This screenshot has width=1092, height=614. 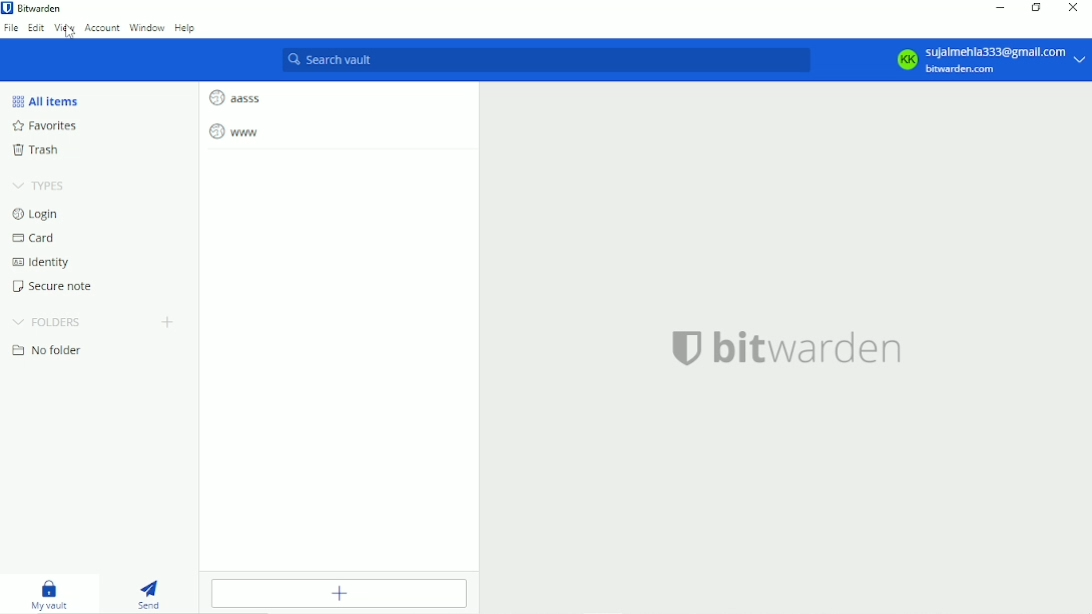 What do you see at coordinates (545, 61) in the screenshot?
I see `Search vault` at bounding box center [545, 61].